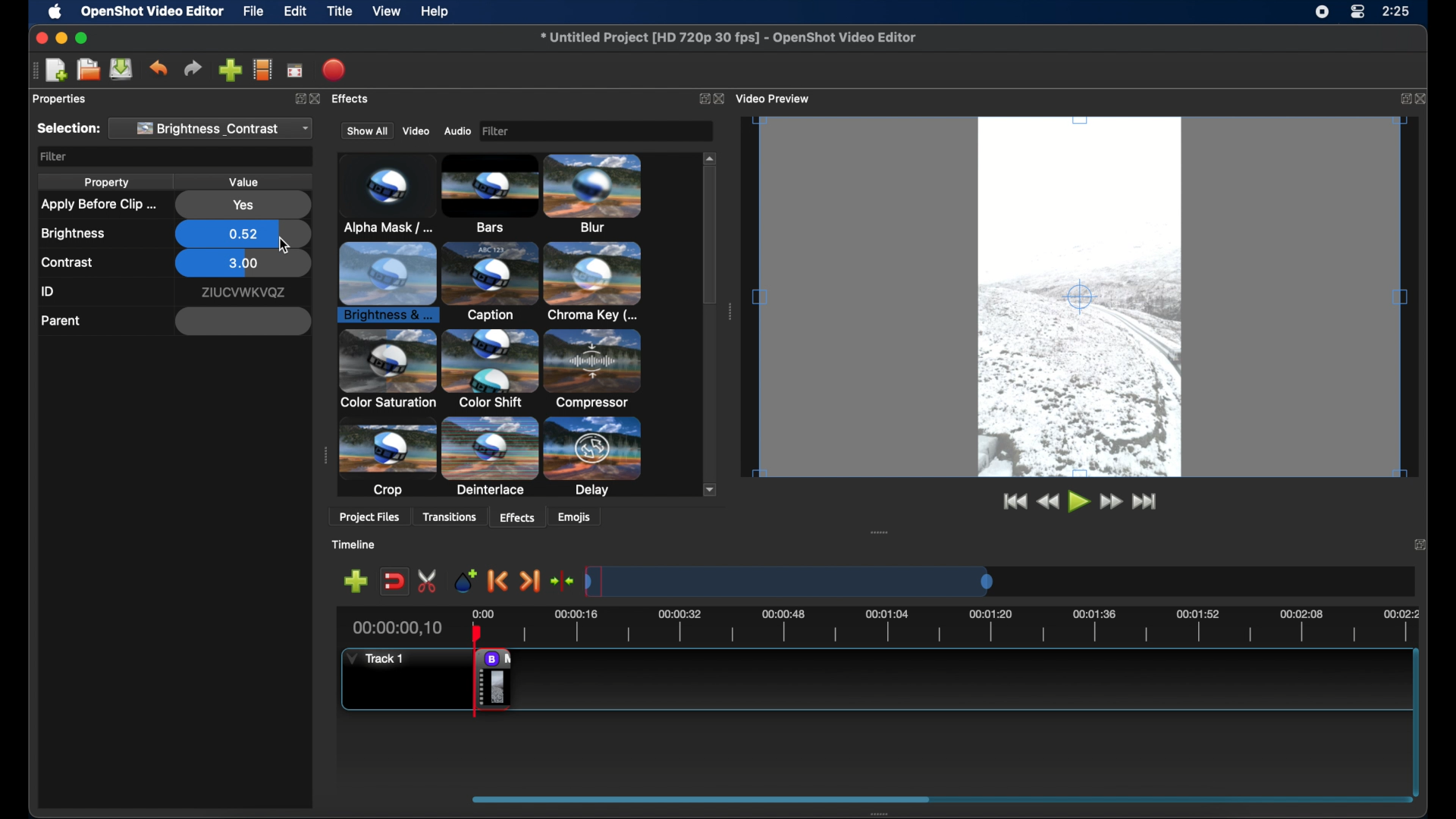 Image resolution: width=1456 pixels, height=819 pixels. Describe the element at coordinates (582, 519) in the screenshot. I see `emojis` at that location.